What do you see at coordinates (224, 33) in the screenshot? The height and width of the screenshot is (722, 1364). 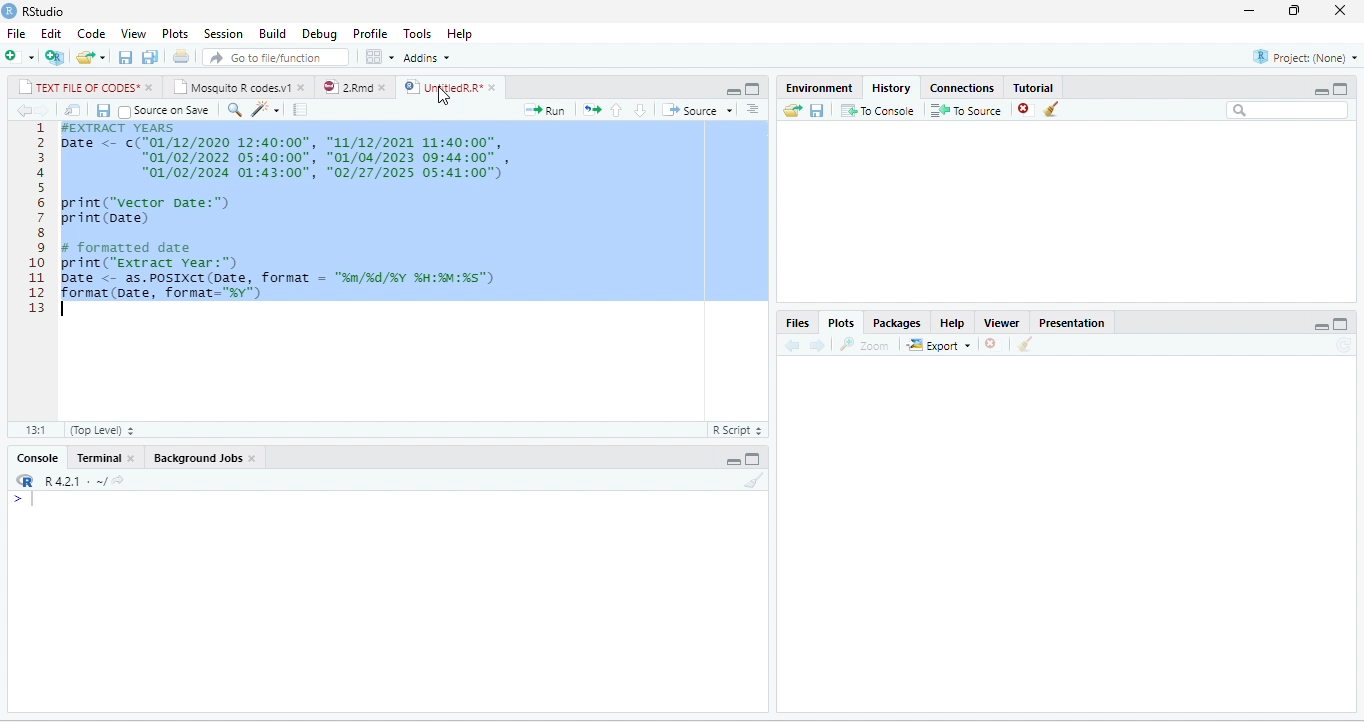 I see `Session` at bounding box center [224, 33].